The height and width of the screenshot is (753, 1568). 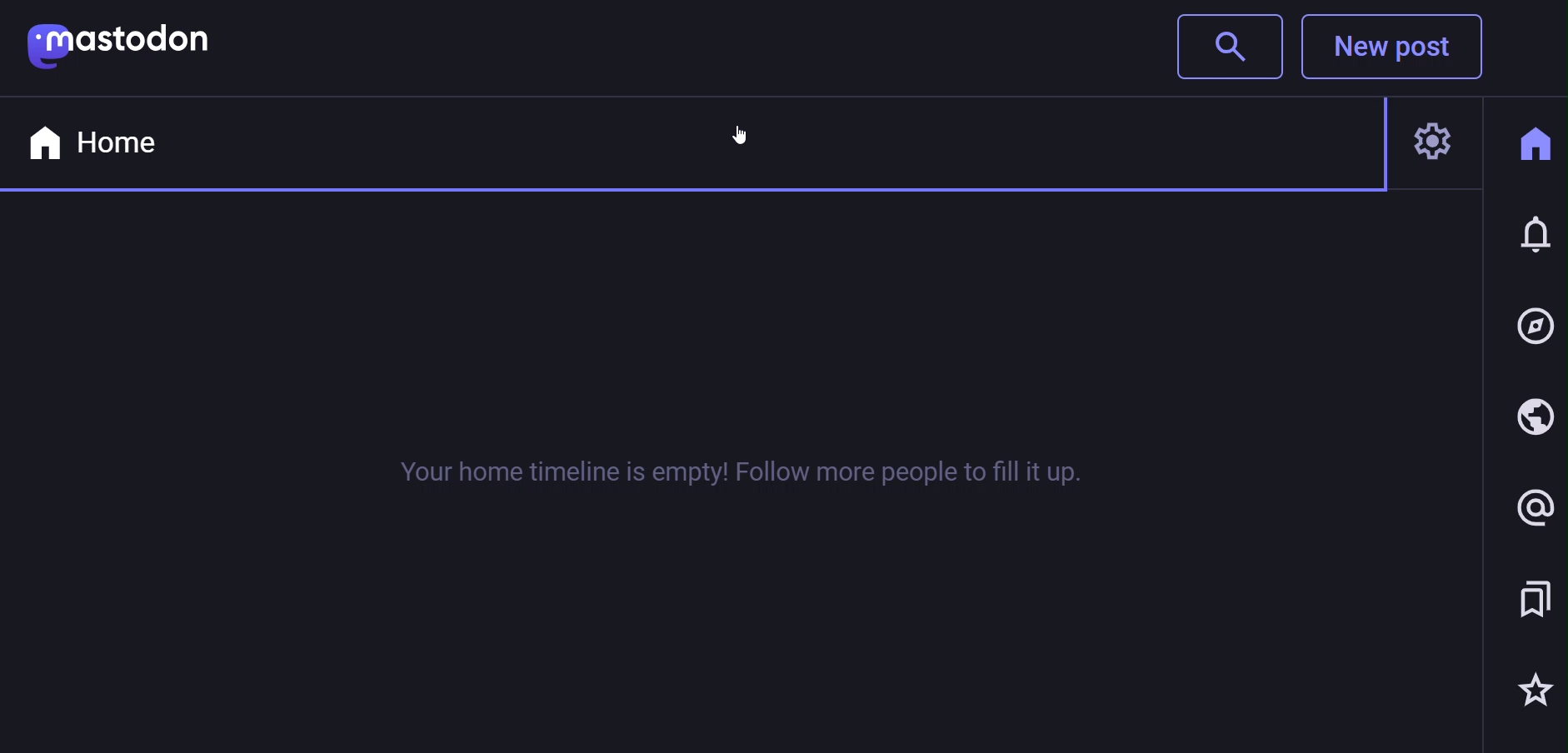 What do you see at coordinates (1226, 47) in the screenshot?
I see `search` at bounding box center [1226, 47].